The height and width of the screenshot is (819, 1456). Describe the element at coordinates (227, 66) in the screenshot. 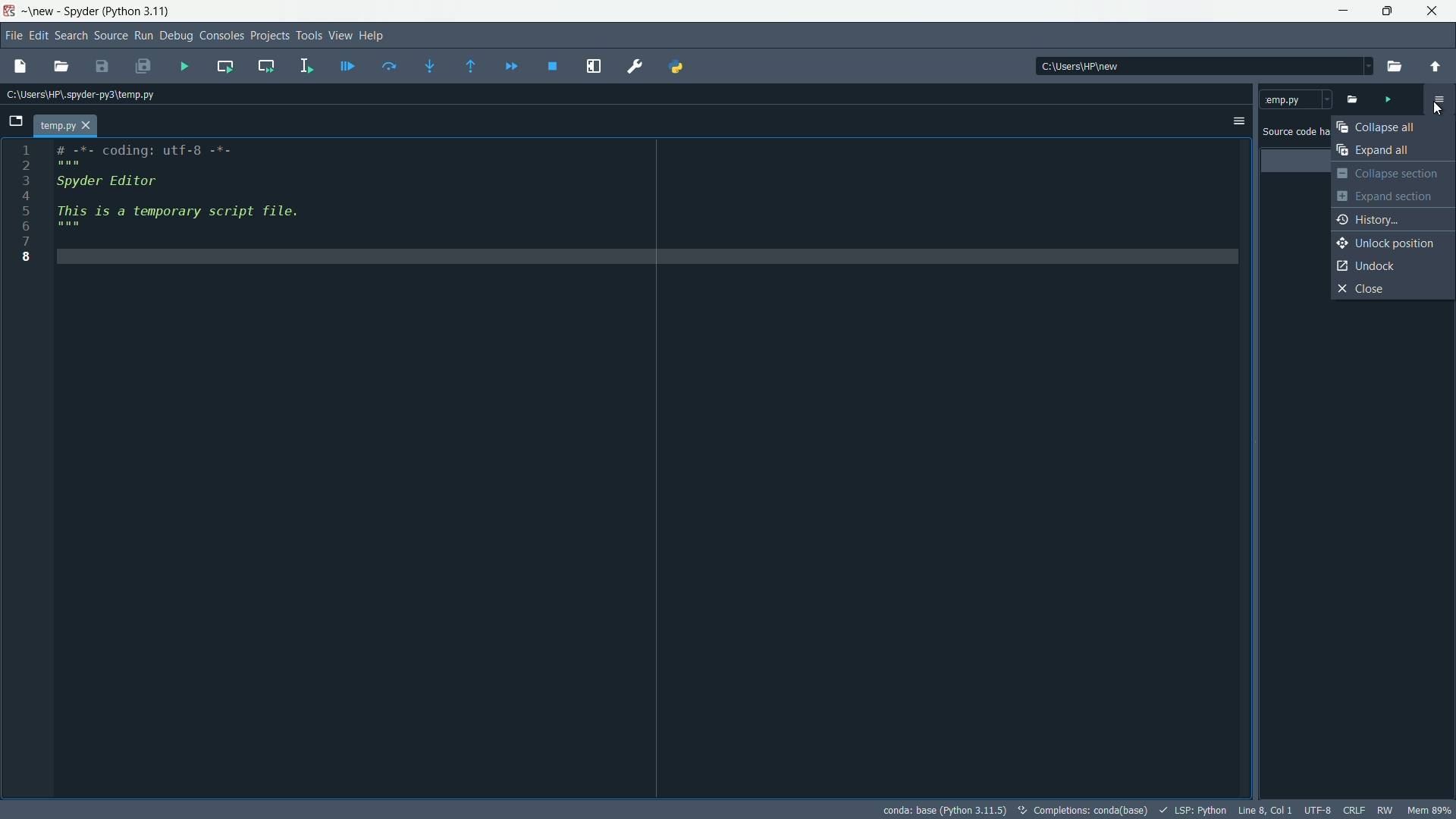

I see `run current cell` at that location.